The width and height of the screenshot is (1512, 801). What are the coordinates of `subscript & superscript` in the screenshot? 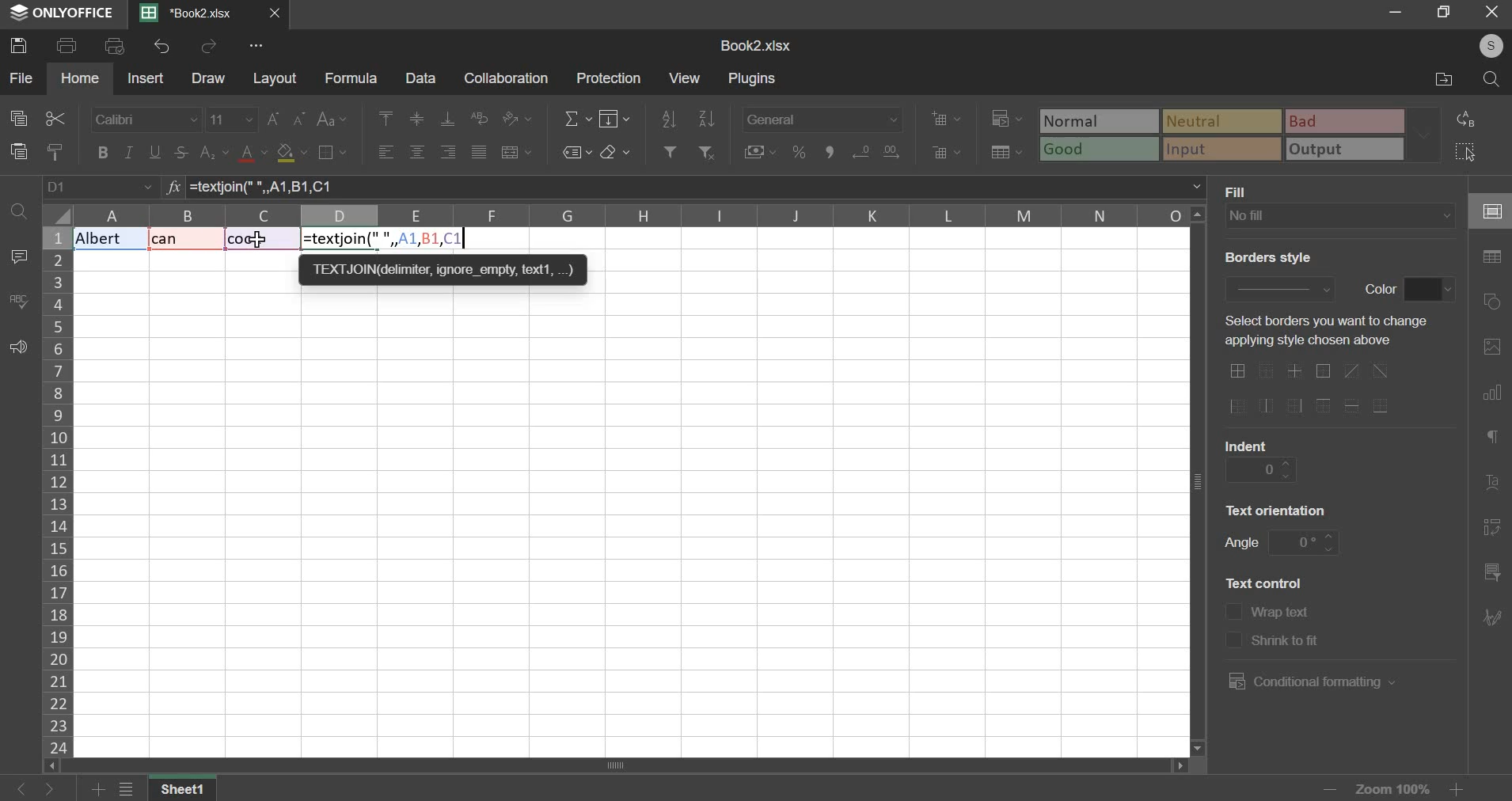 It's located at (214, 151).